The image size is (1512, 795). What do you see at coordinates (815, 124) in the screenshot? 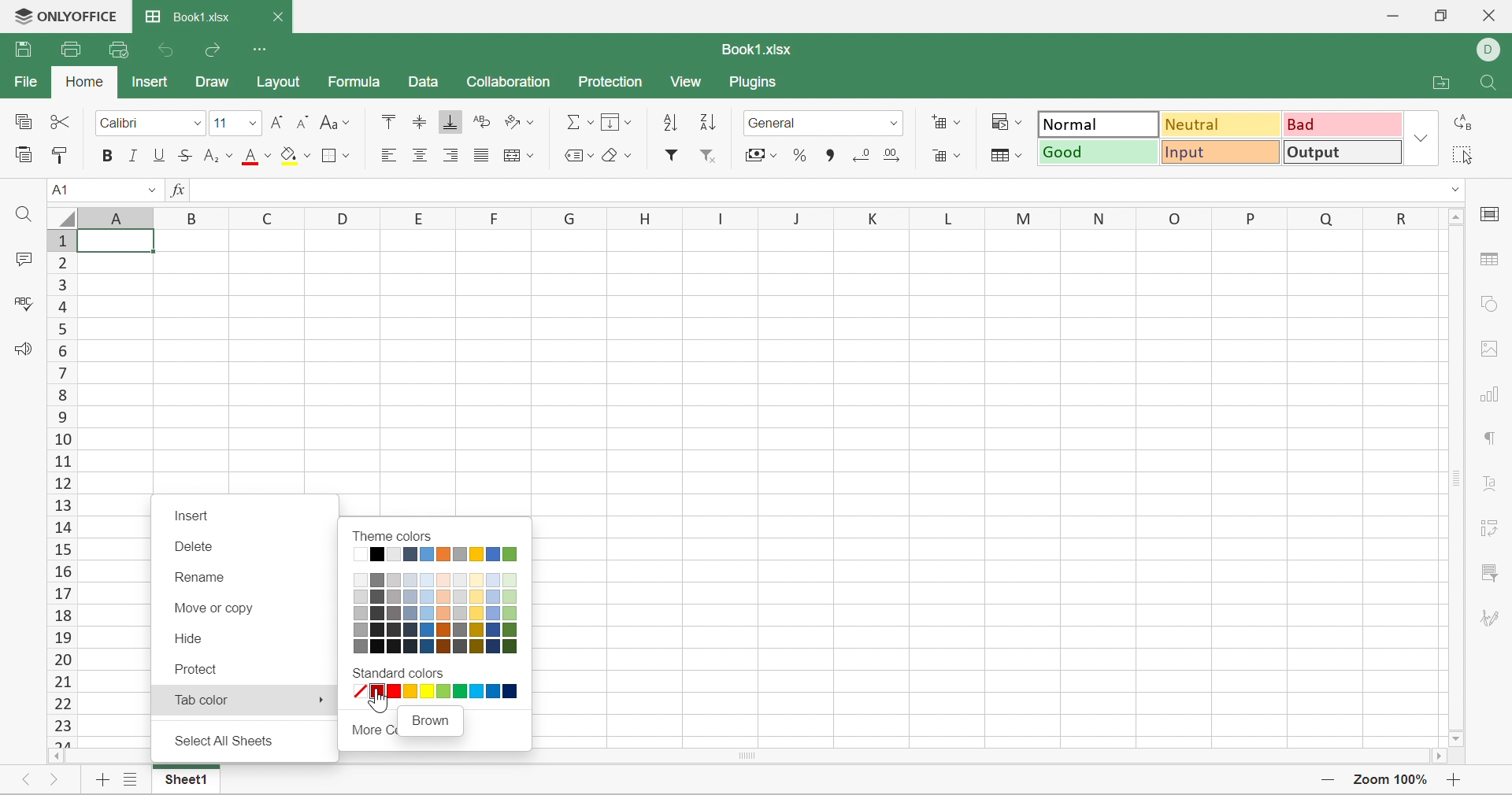
I see `General` at bounding box center [815, 124].